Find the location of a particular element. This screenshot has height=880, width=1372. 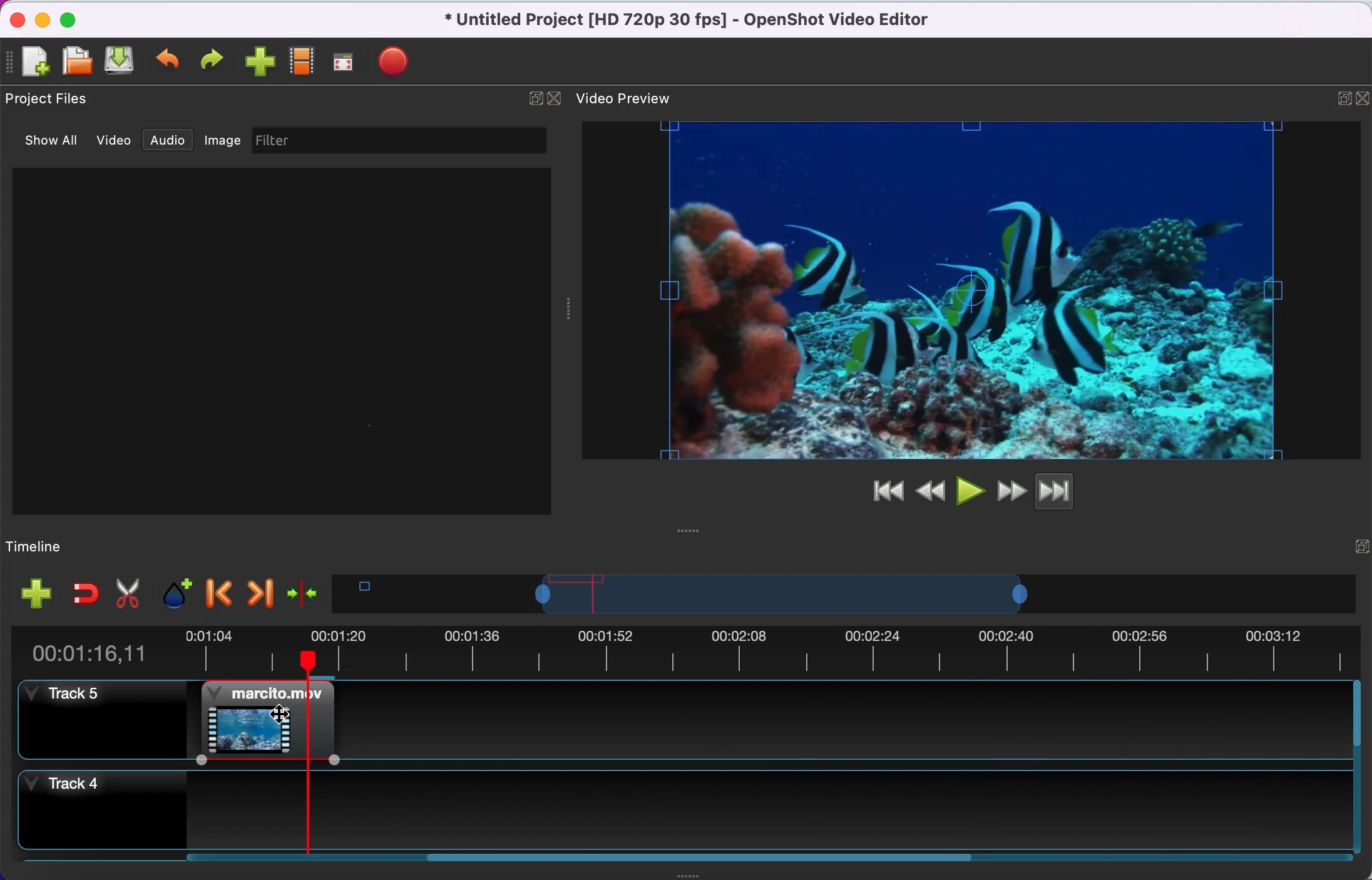

Cursor is located at coordinates (283, 714).